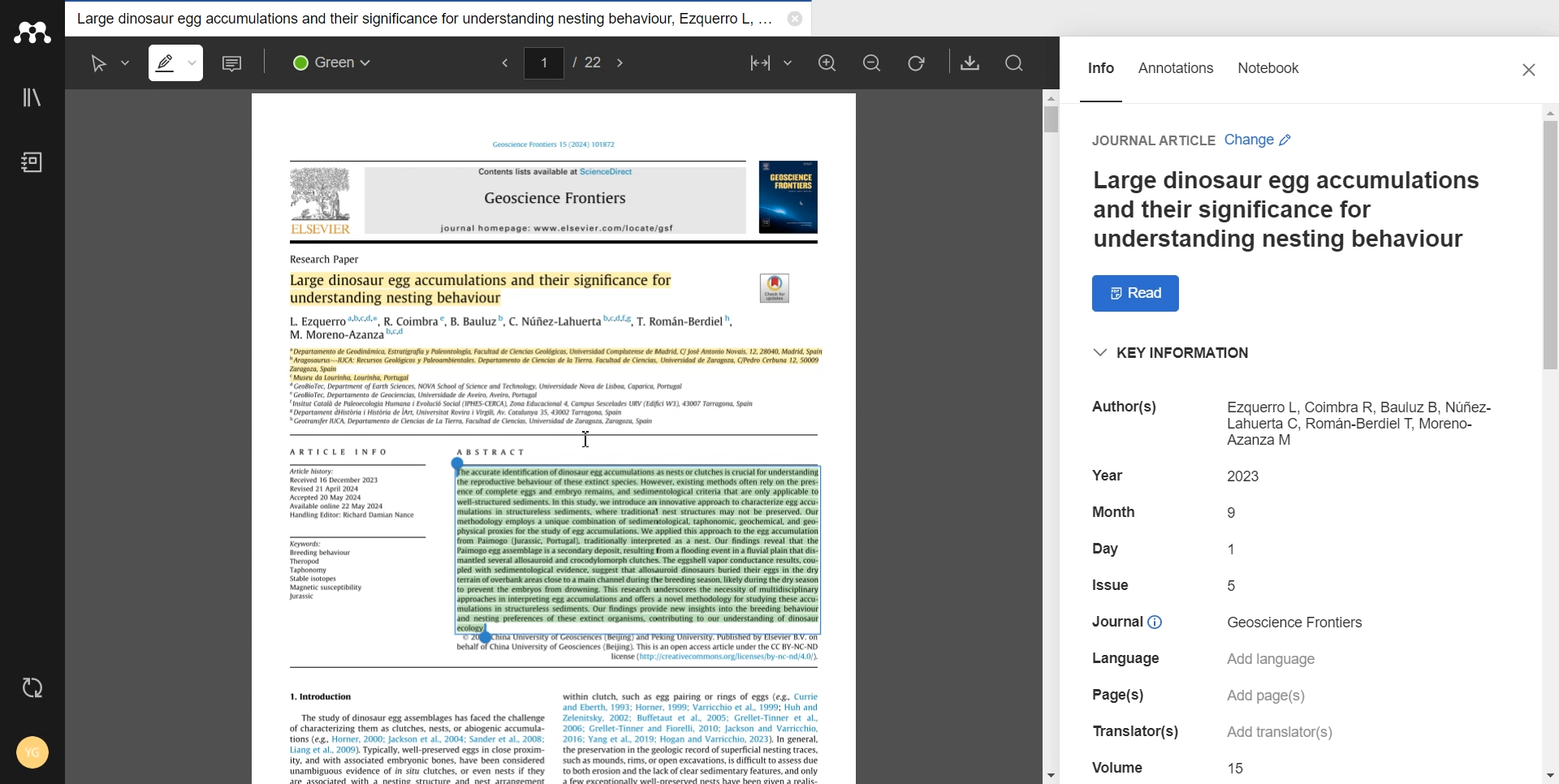  Describe the element at coordinates (423, 19) in the screenshot. I see `Folder` at that location.